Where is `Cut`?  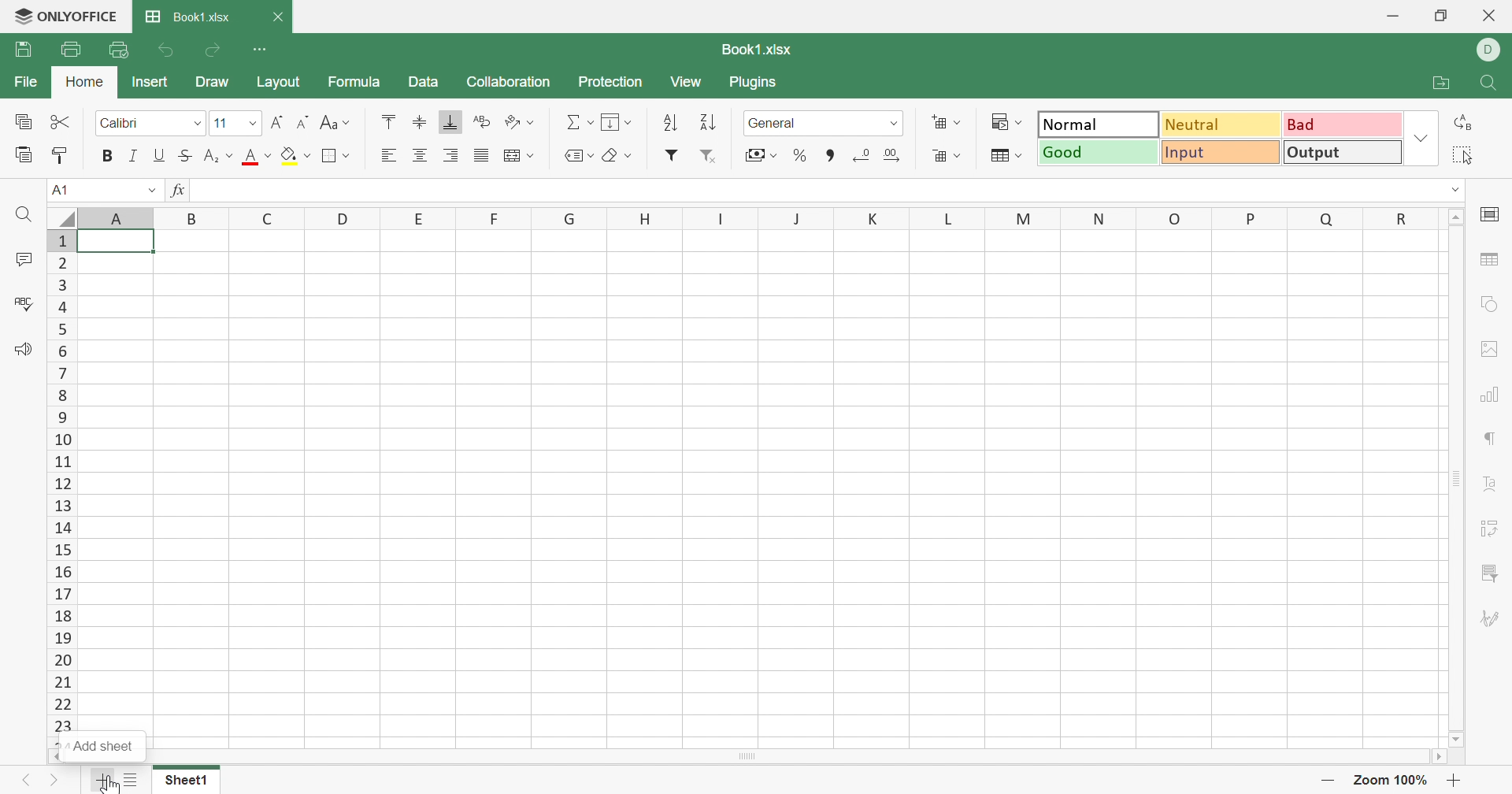
Cut is located at coordinates (61, 121).